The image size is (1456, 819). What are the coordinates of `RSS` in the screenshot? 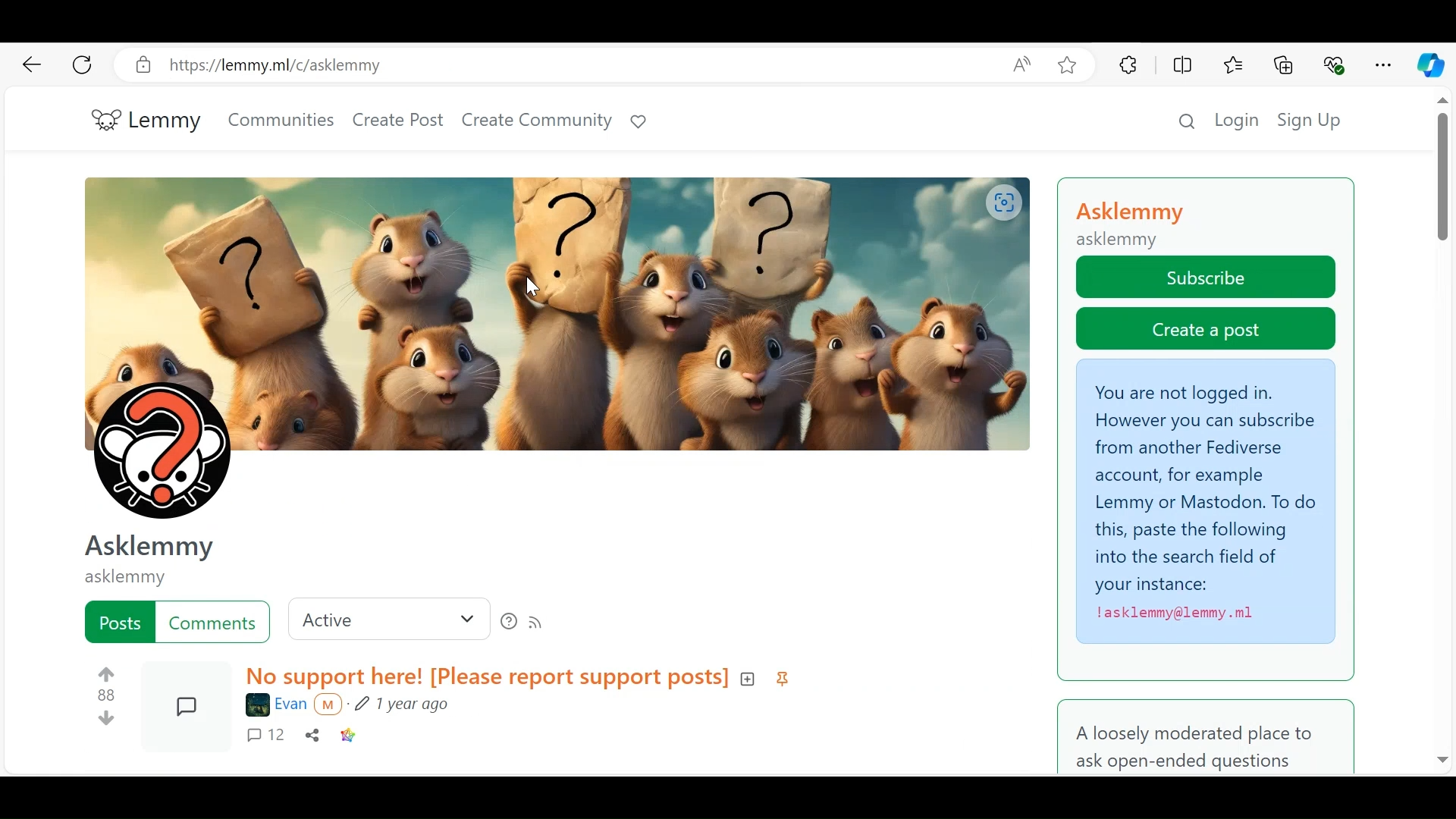 It's located at (538, 624).